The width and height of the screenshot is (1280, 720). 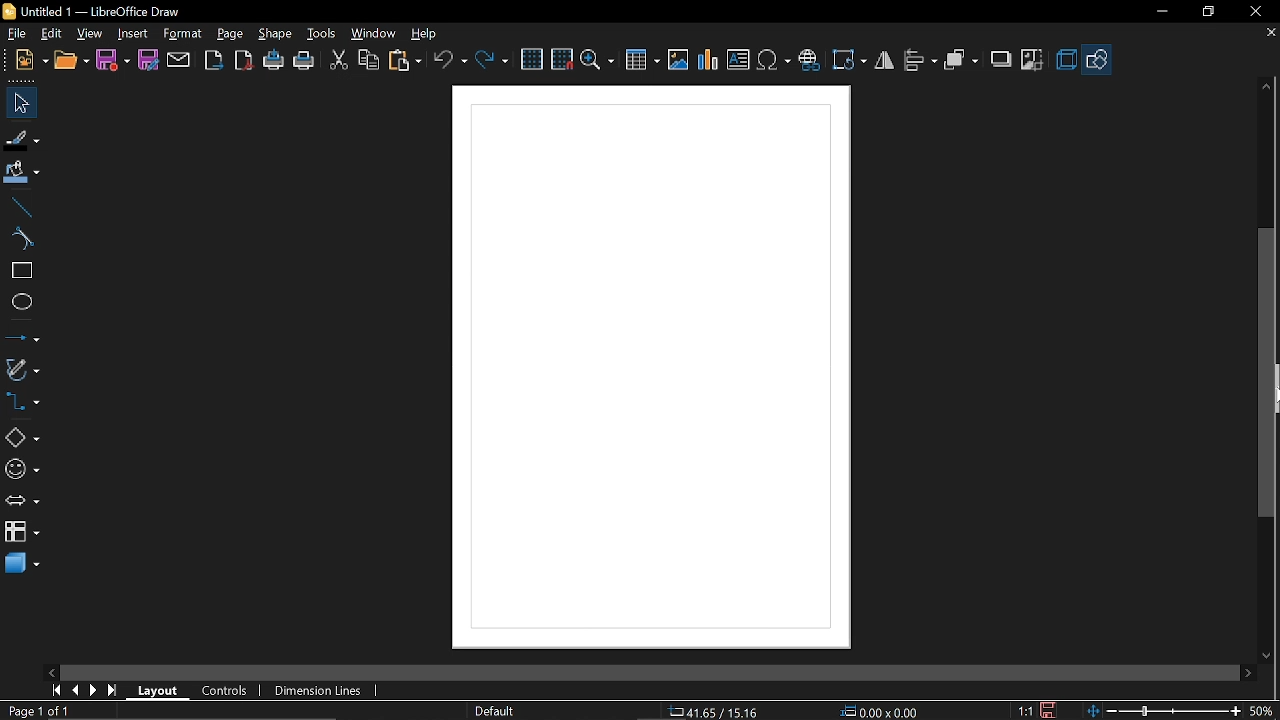 What do you see at coordinates (1099, 62) in the screenshot?
I see `Basic shapes` at bounding box center [1099, 62].